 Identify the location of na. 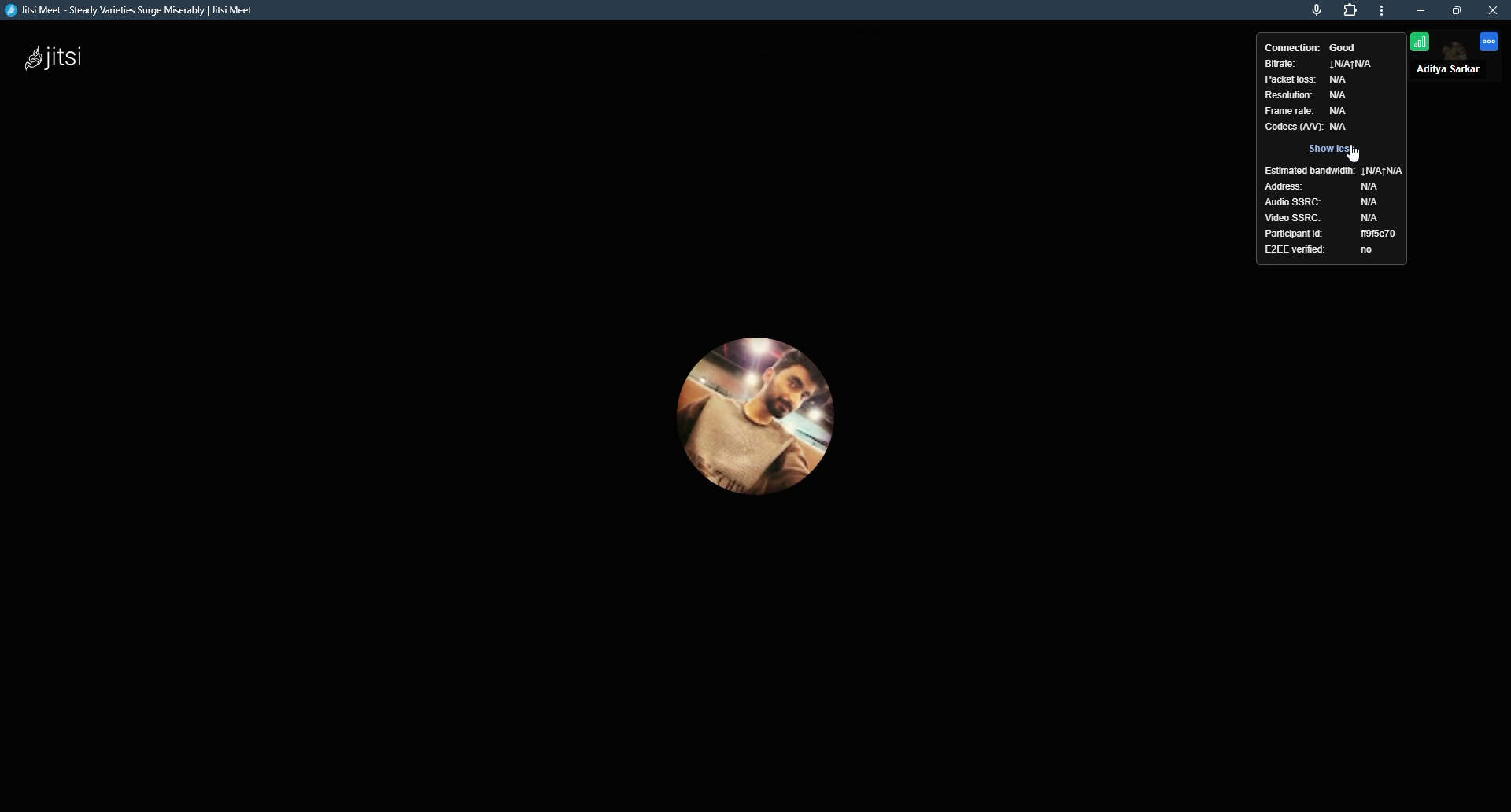
(1372, 188).